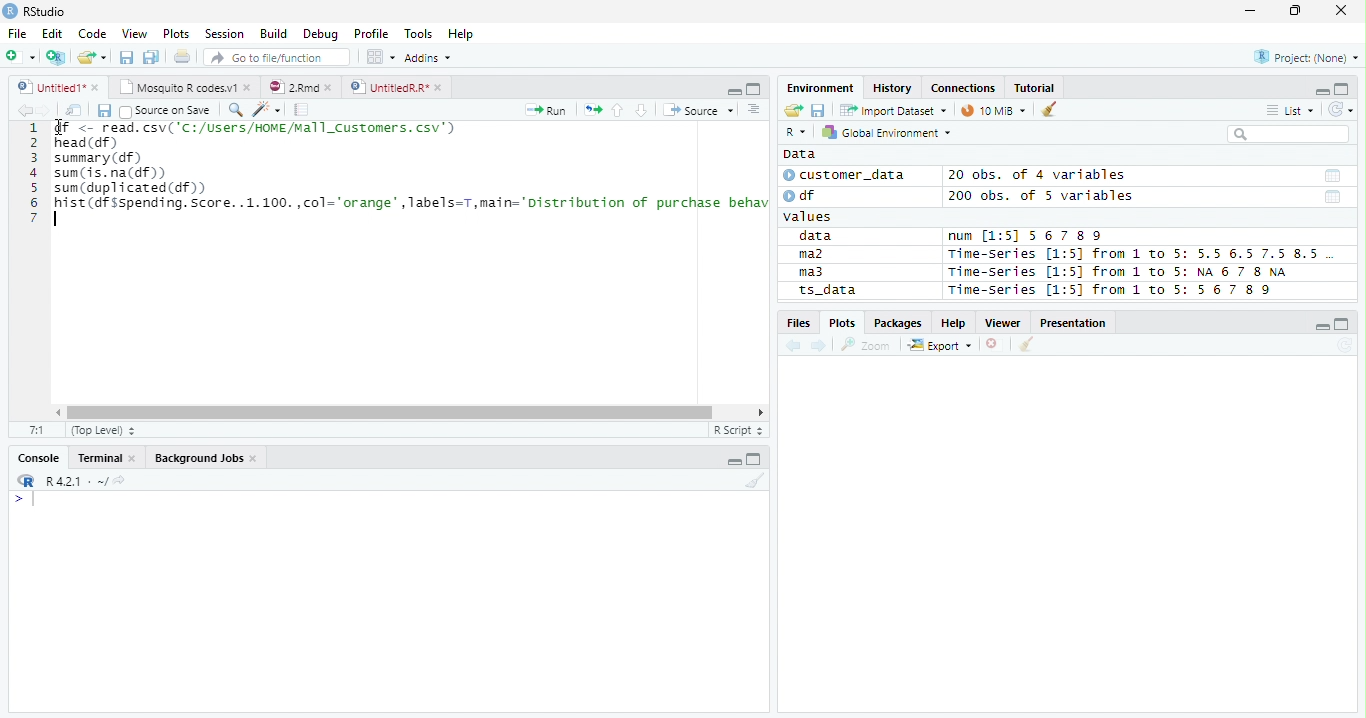 This screenshot has height=718, width=1366. I want to click on Find/Replace, so click(234, 109).